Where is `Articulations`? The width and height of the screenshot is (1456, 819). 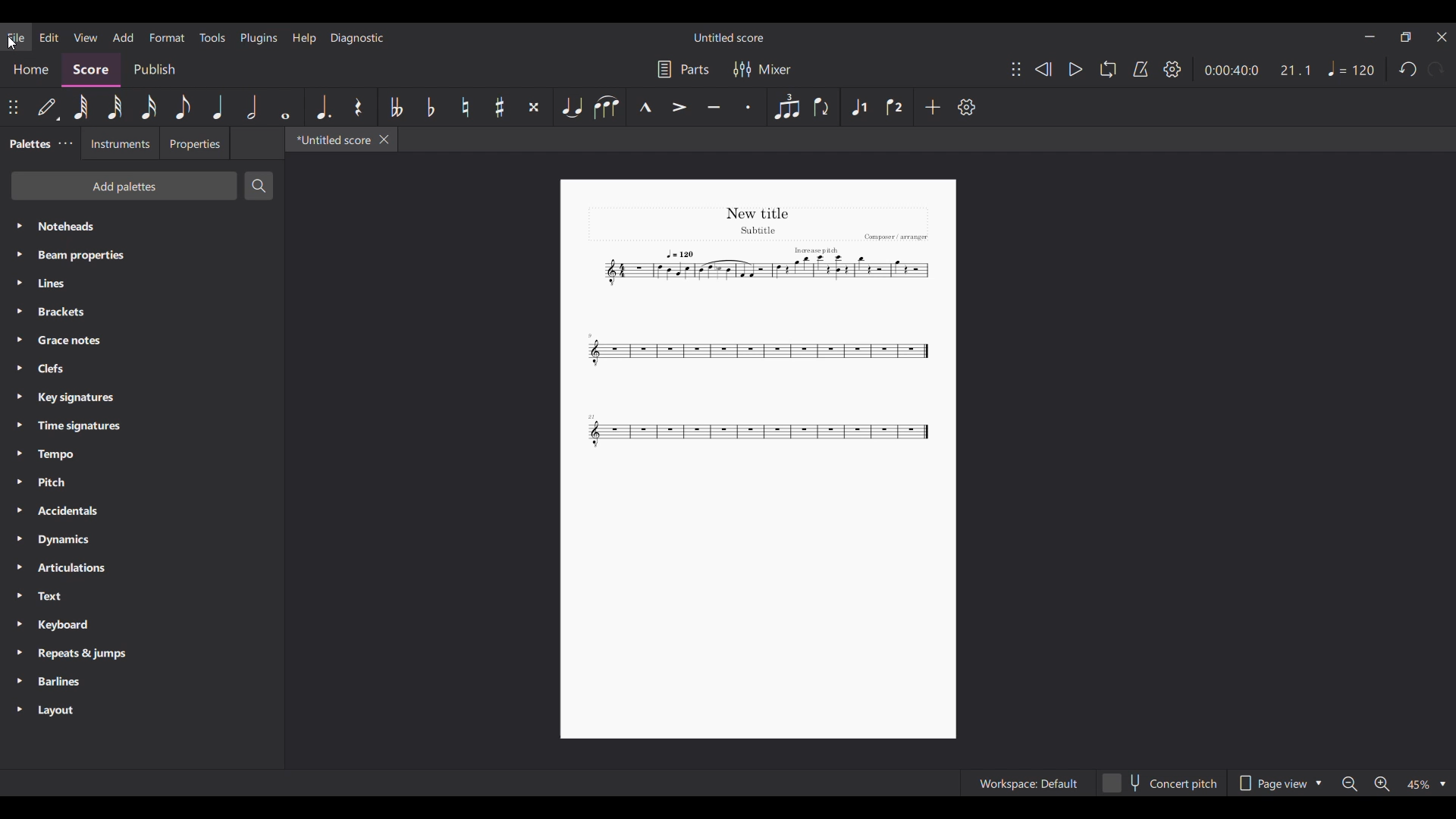
Articulations is located at coordinates (141, 568).